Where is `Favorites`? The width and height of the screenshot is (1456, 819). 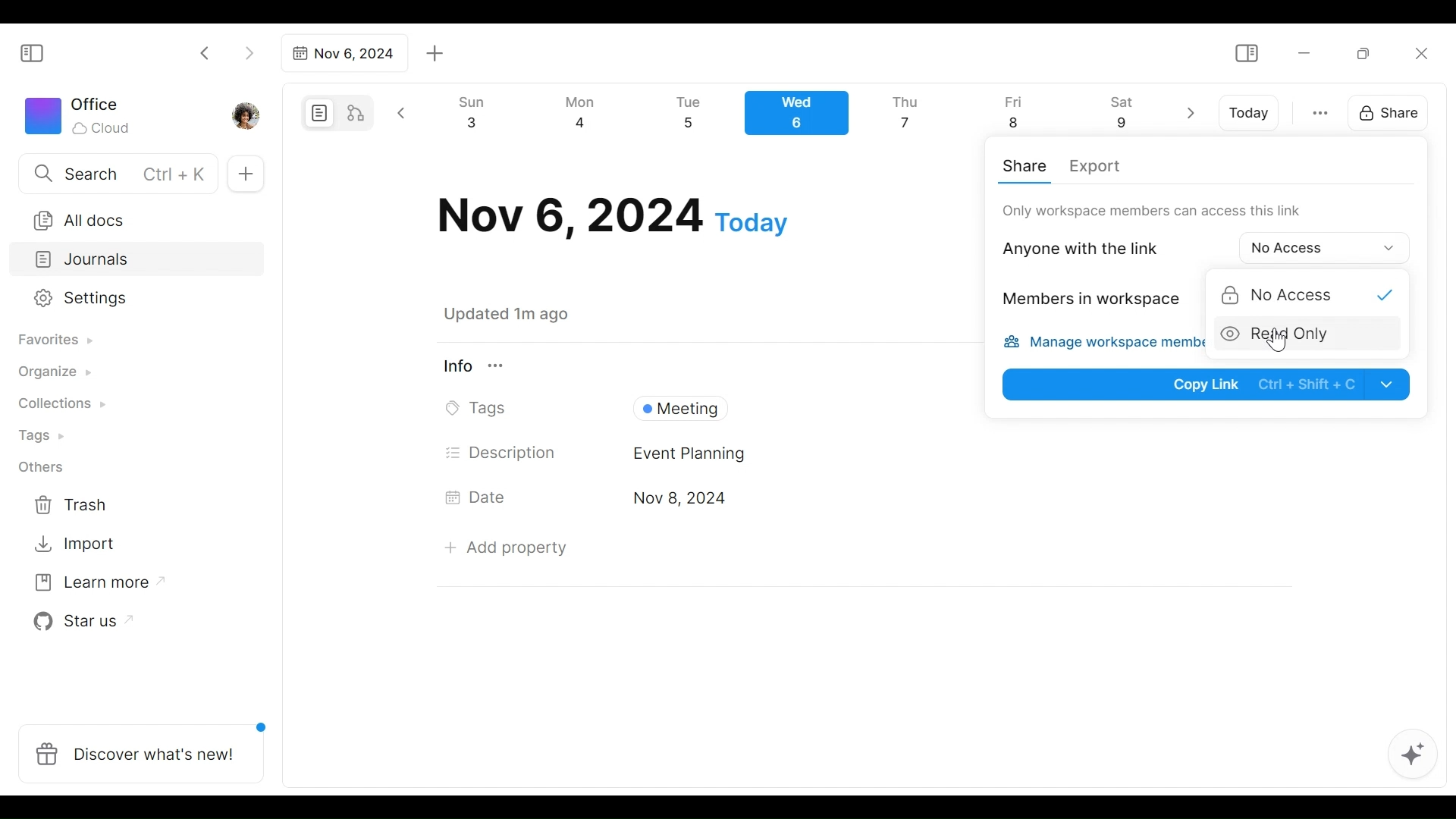
Favorites is located at coordinates (54, 340).